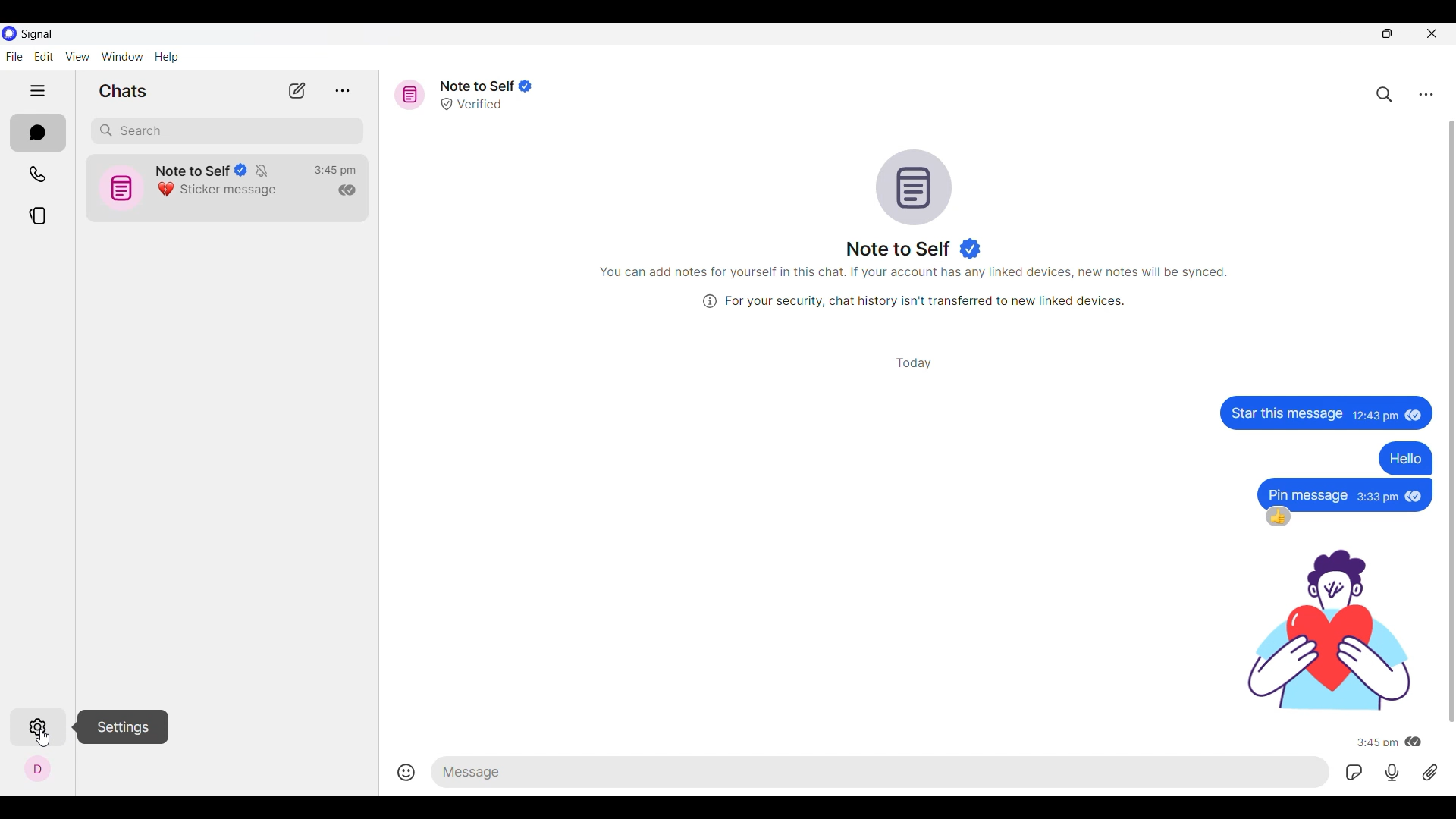 The image size is (1456, 819). What do you see at coordinates (409, 96) in the screenshot?
I see `Chat icon` at bounding box center [409, 96].